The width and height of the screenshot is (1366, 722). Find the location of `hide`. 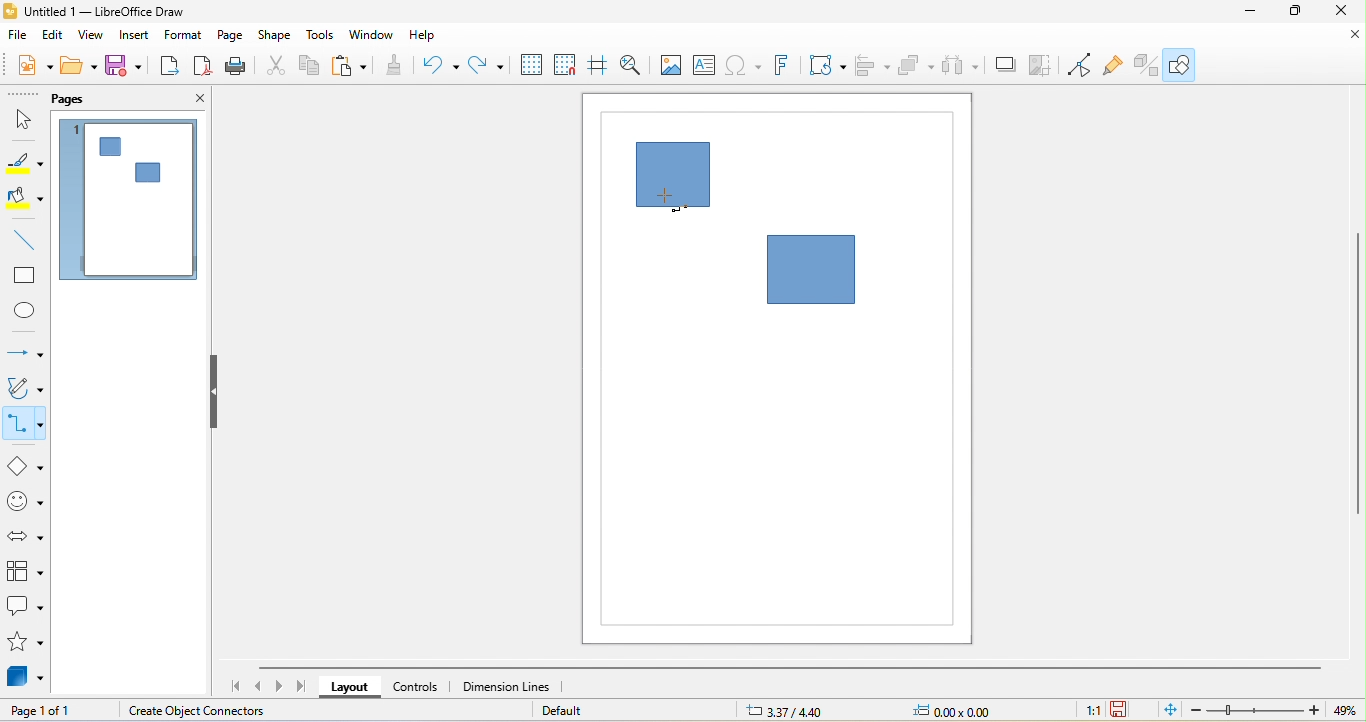

hide is located at coordinates (213, 392).